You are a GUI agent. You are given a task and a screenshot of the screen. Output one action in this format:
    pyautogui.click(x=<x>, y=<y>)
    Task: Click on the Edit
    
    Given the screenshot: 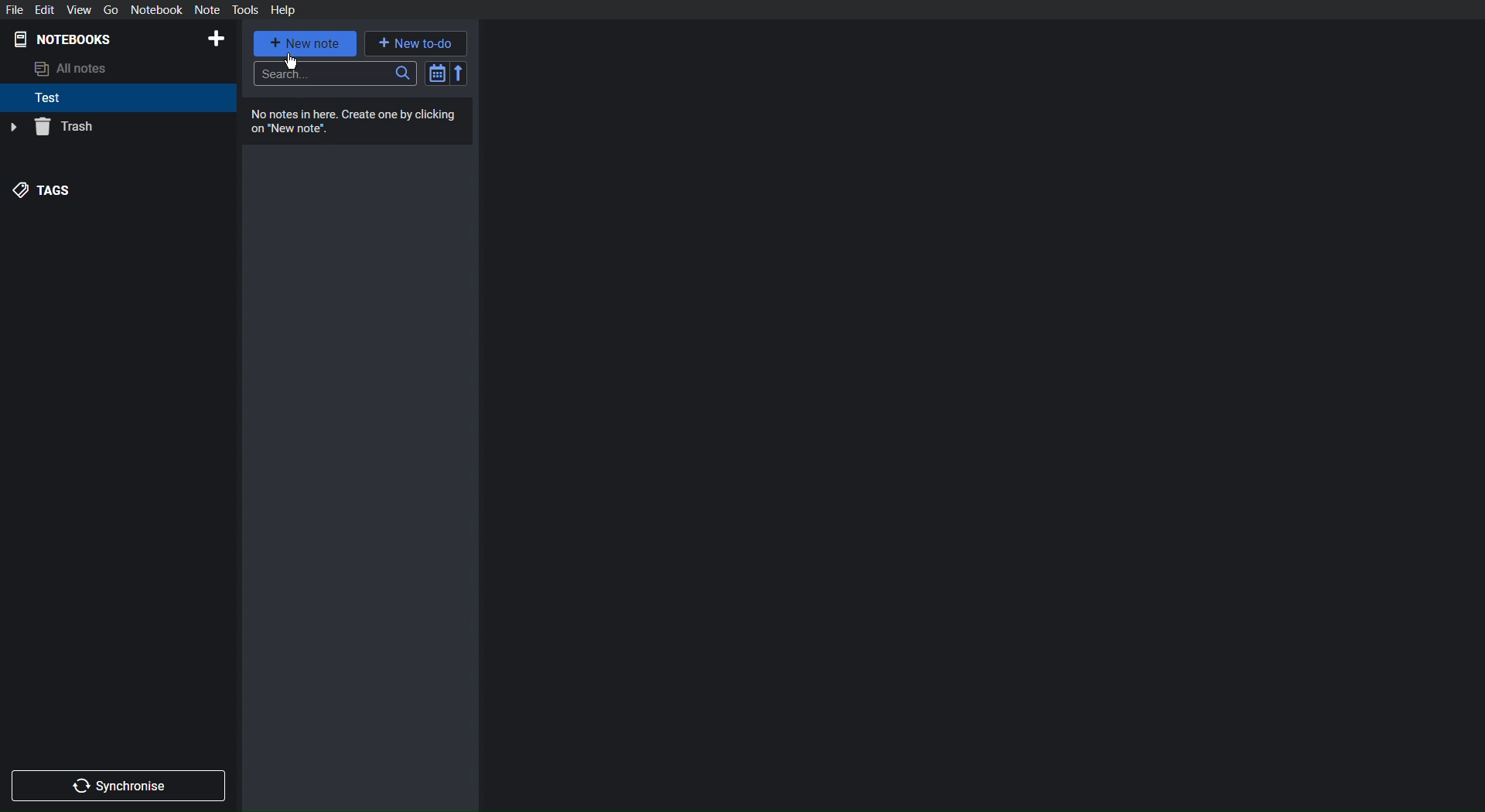 What is the action you would take?
    pyautogui.click(x=44, y=10)
    